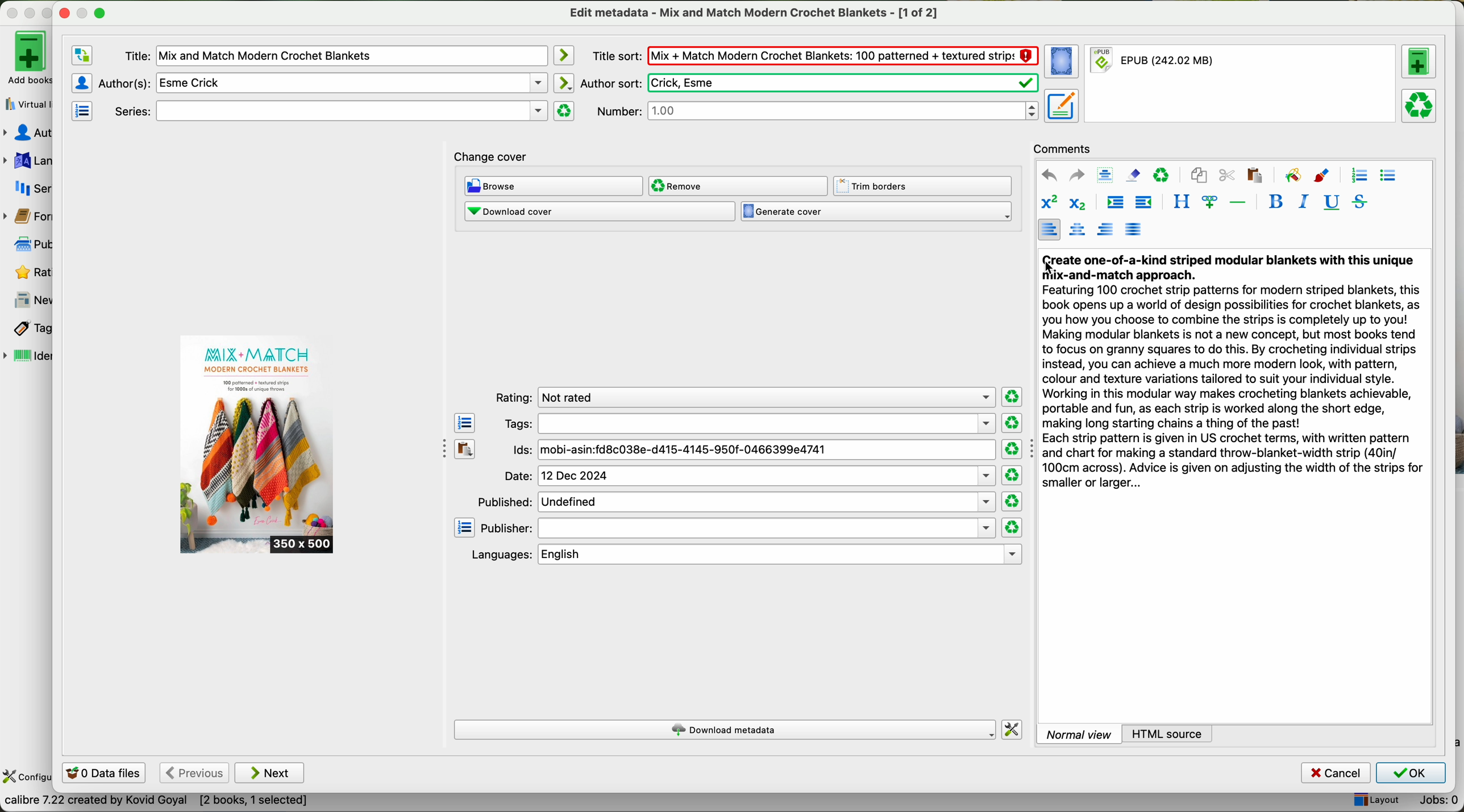 The image size is (1464, 812). Describe the element at coordinates (1133, 228) in the screenshot. I see `align justified` at that location.